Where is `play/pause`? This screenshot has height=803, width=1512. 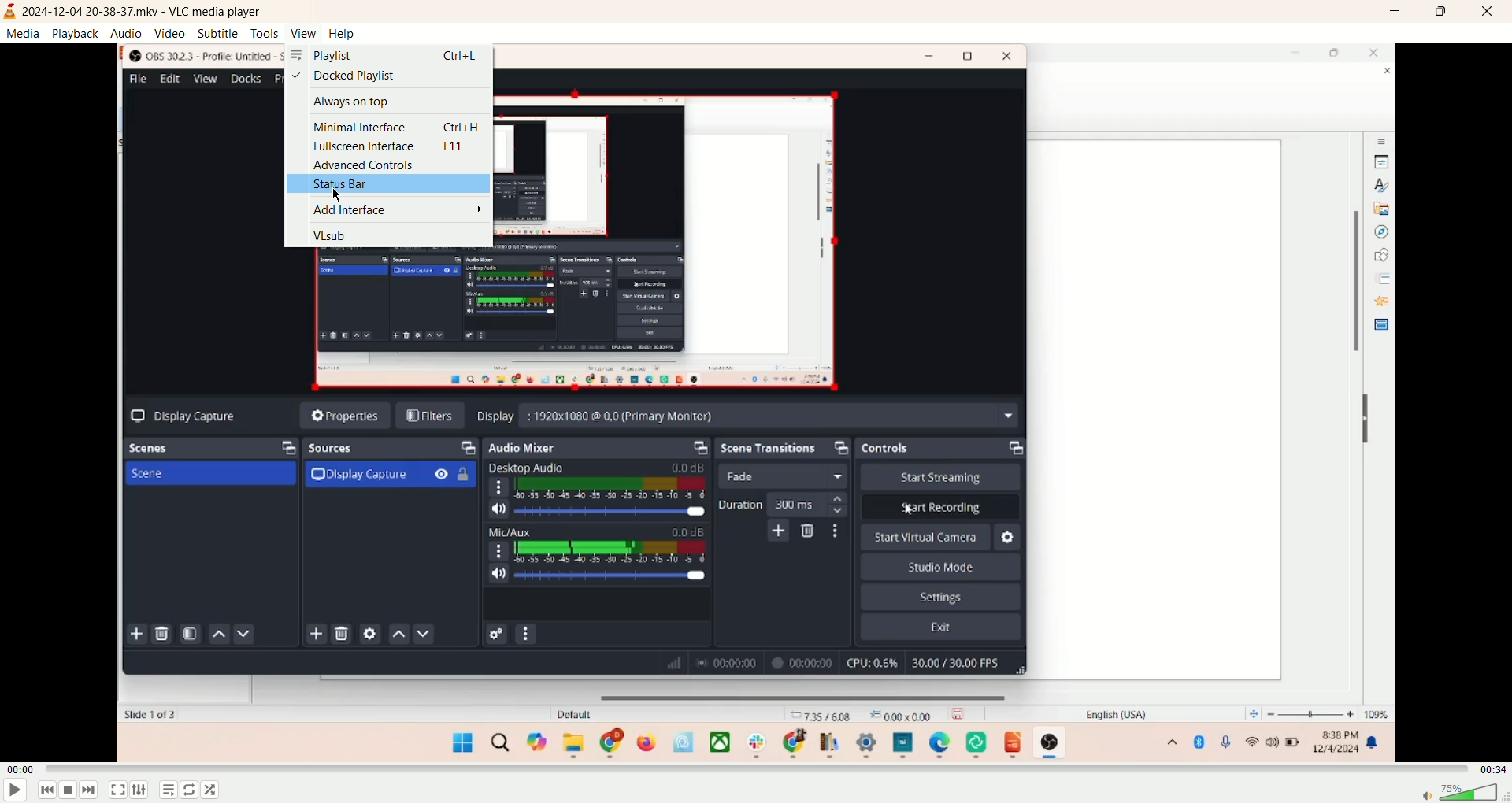
play/pause is located at coordinates (13, 790).